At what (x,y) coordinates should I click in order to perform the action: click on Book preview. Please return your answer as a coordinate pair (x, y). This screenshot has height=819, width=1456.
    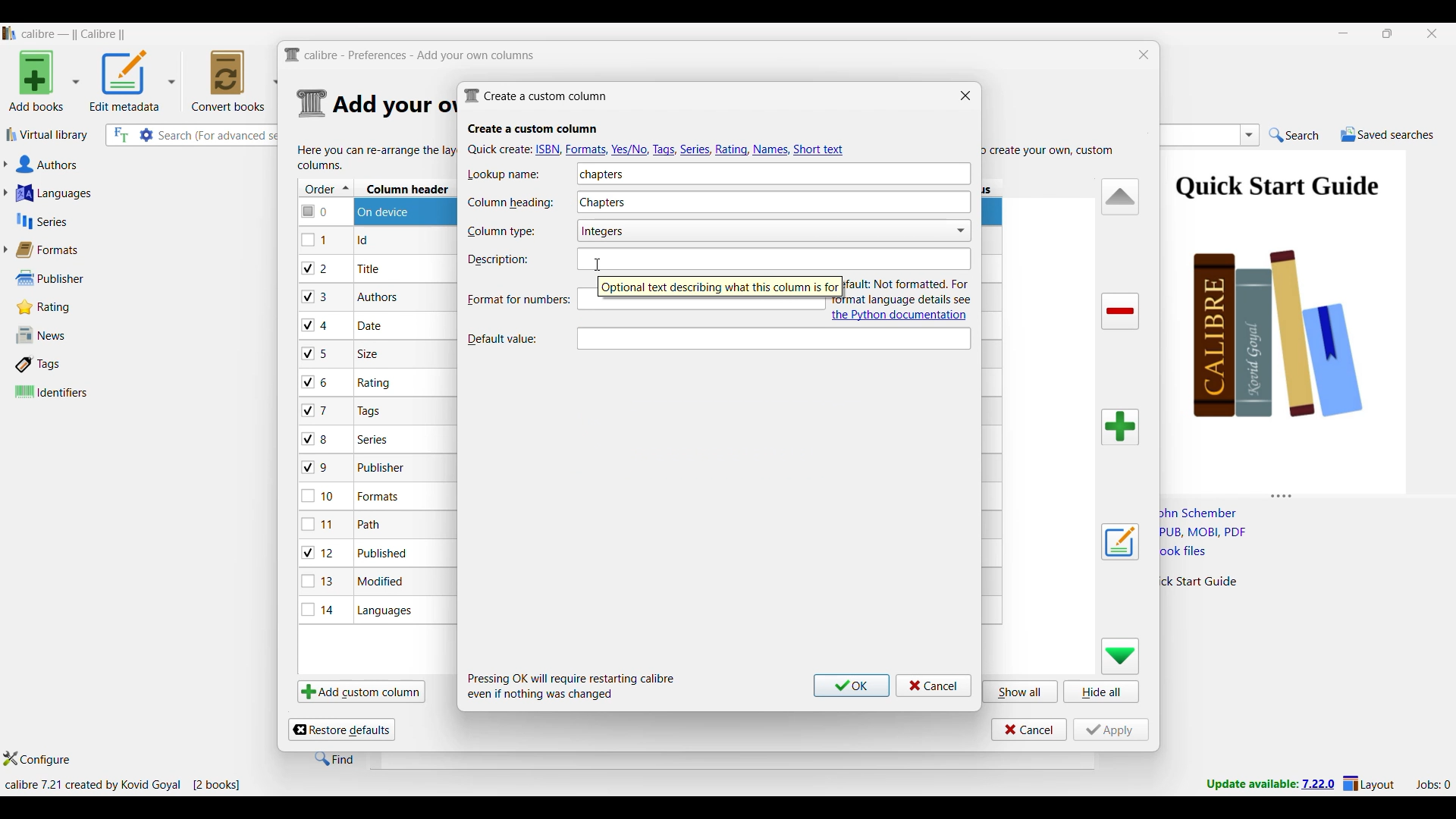
    Looking at the image, I should click on (1303, 316).